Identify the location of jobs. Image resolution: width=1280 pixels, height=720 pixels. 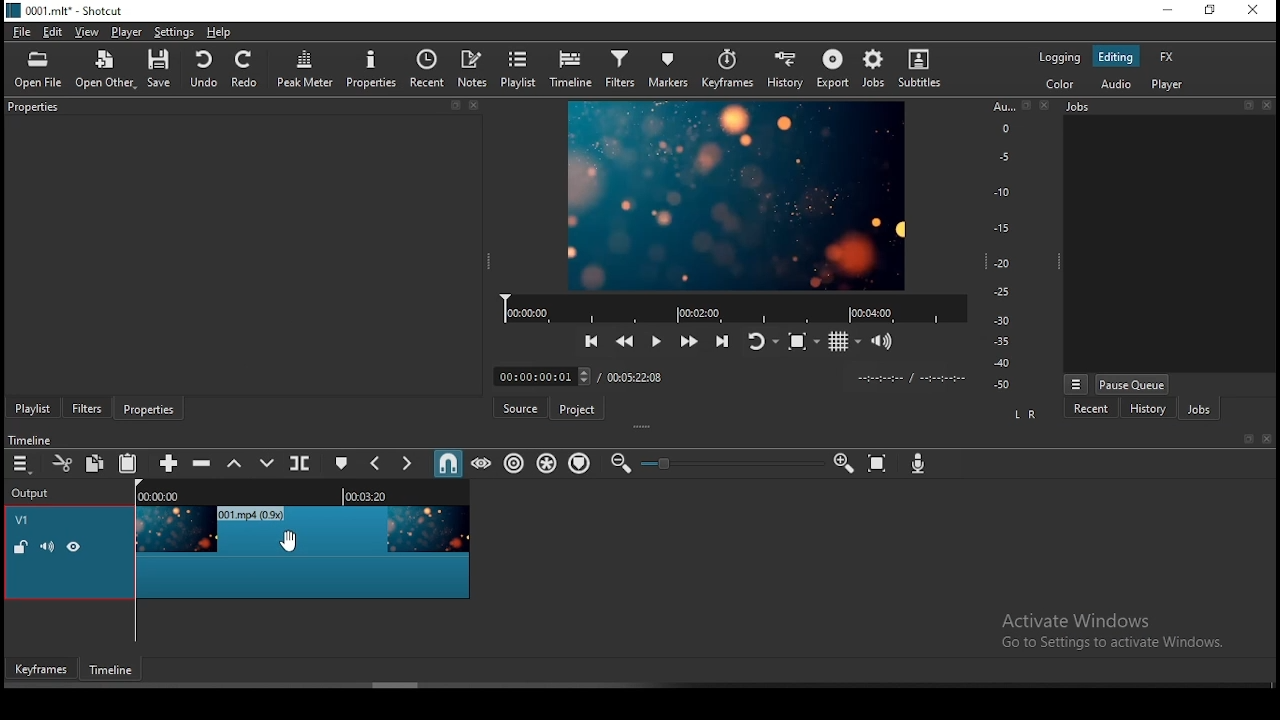
(1197, 408).